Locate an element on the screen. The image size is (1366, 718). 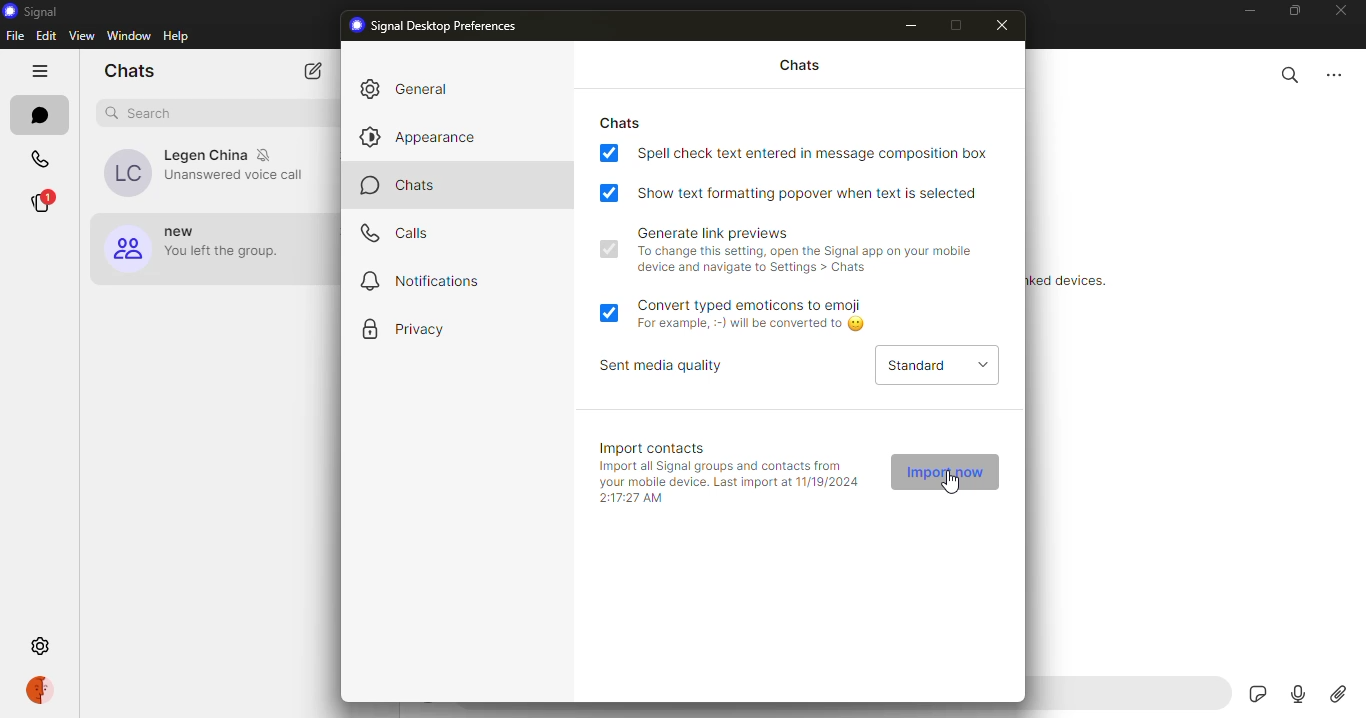
privacy is located at coordinates (426, 327).